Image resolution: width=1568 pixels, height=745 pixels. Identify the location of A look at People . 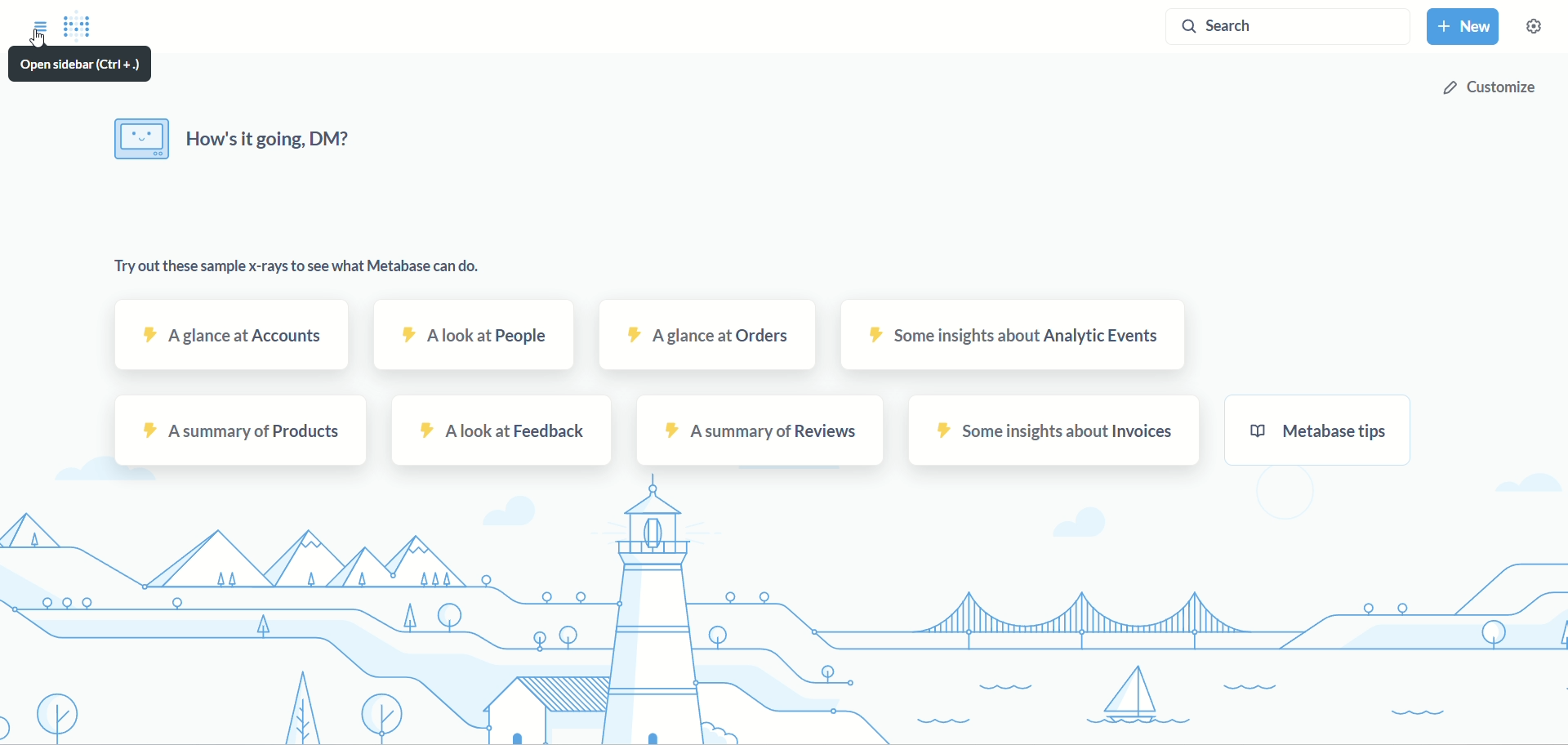
(476, 335).